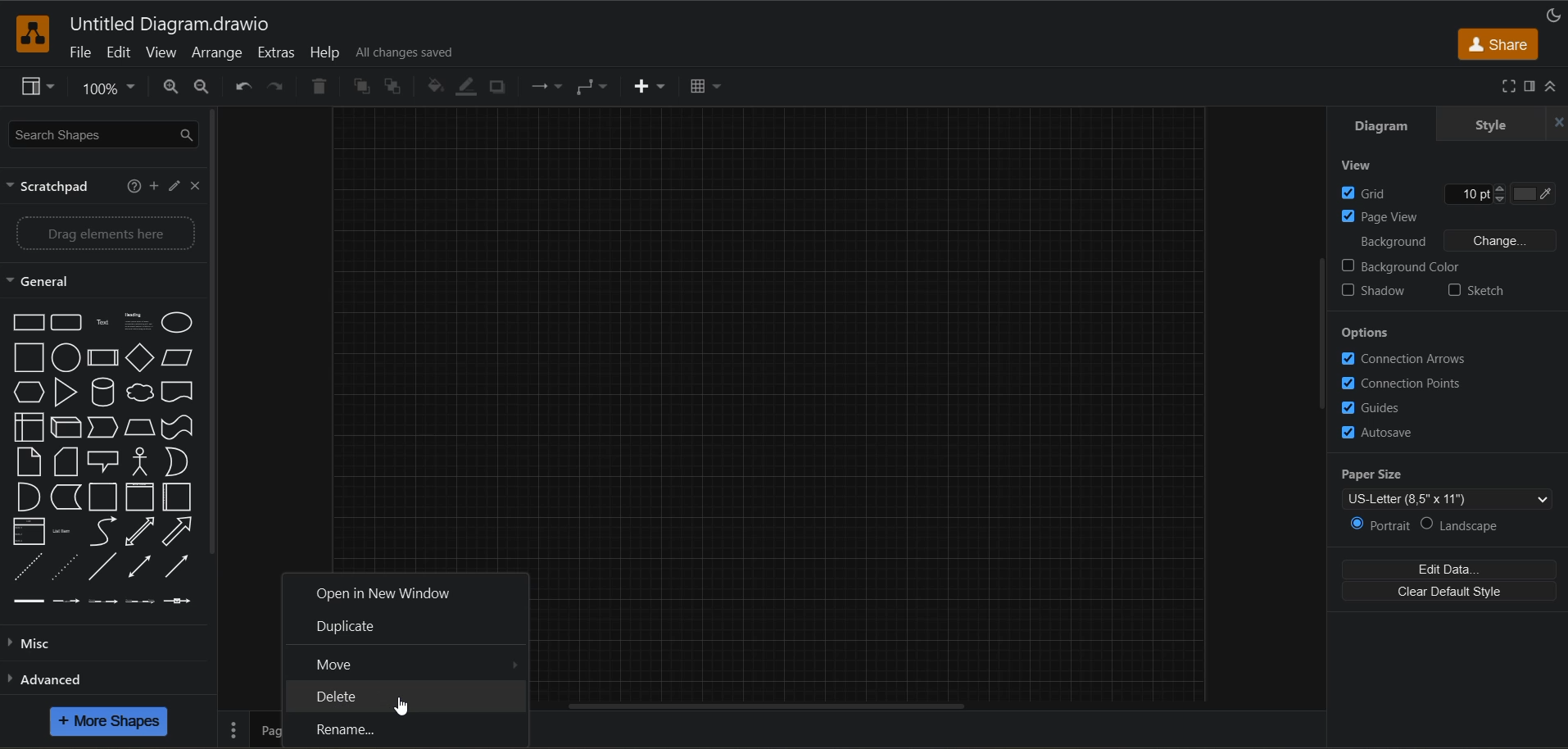 The width and height of the screenshot is (1568, 749). I want to click on collapse/expand, so click(1552, 84).